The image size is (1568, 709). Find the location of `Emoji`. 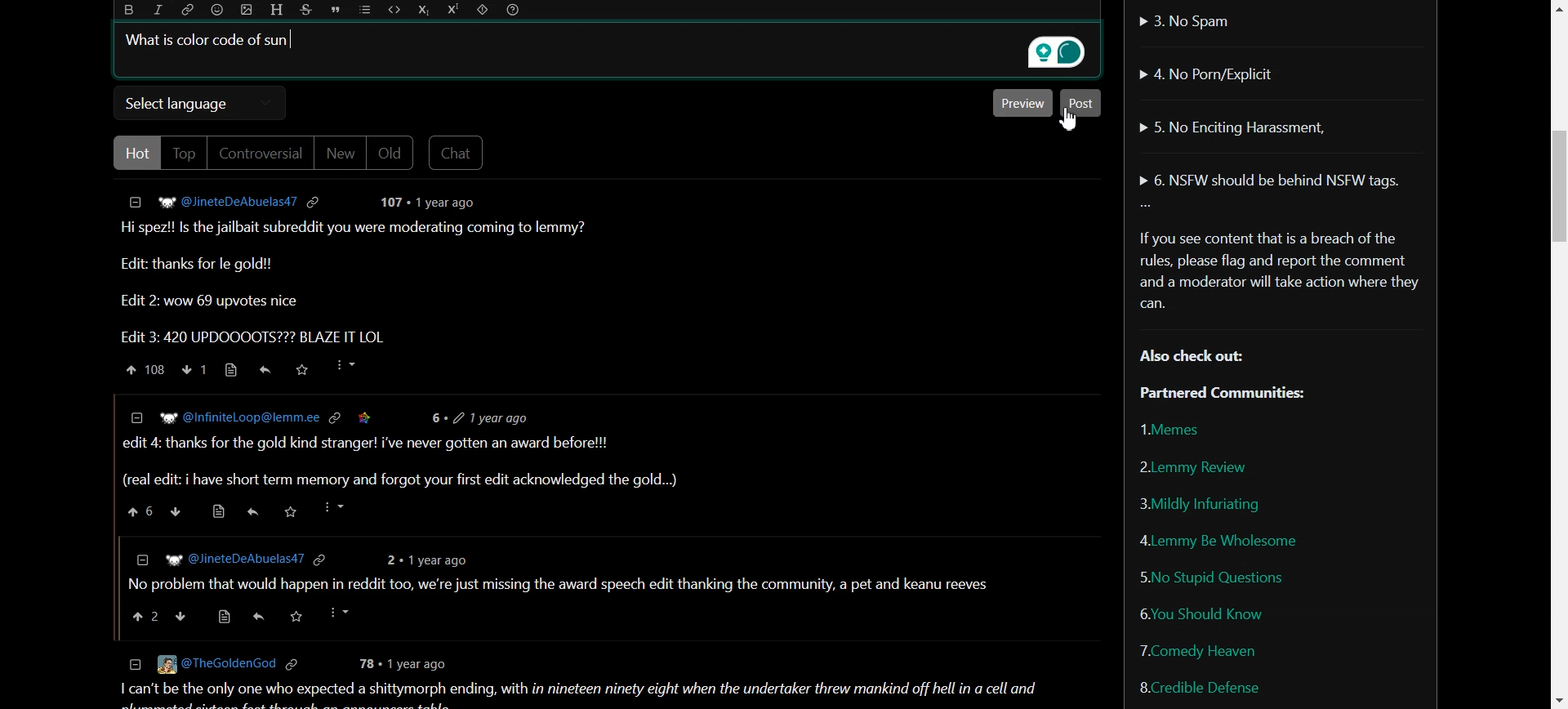

Emoji is located at coordinates (217, 10).